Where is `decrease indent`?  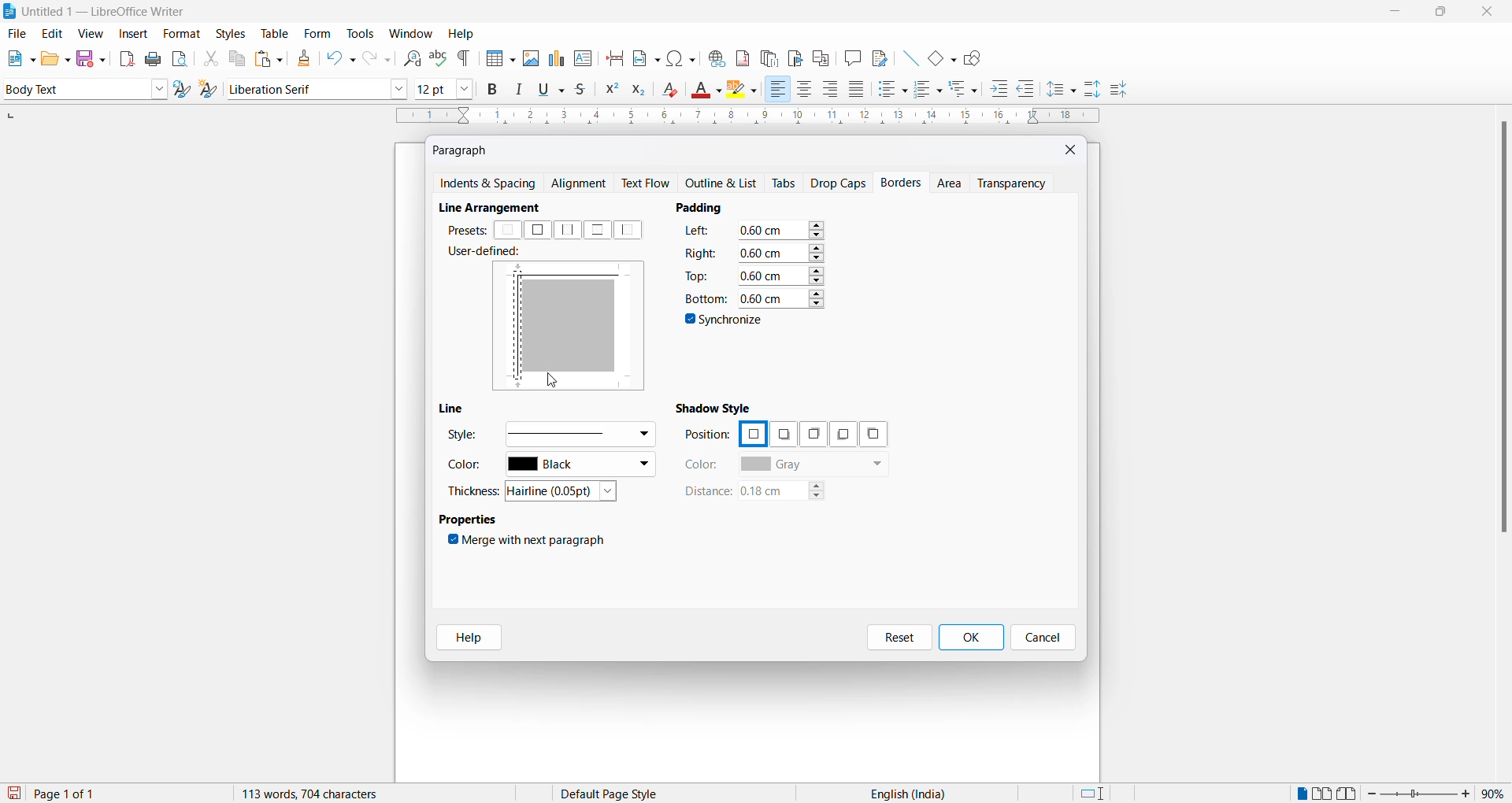
decrease indent is located at coordinates (1031, 90).